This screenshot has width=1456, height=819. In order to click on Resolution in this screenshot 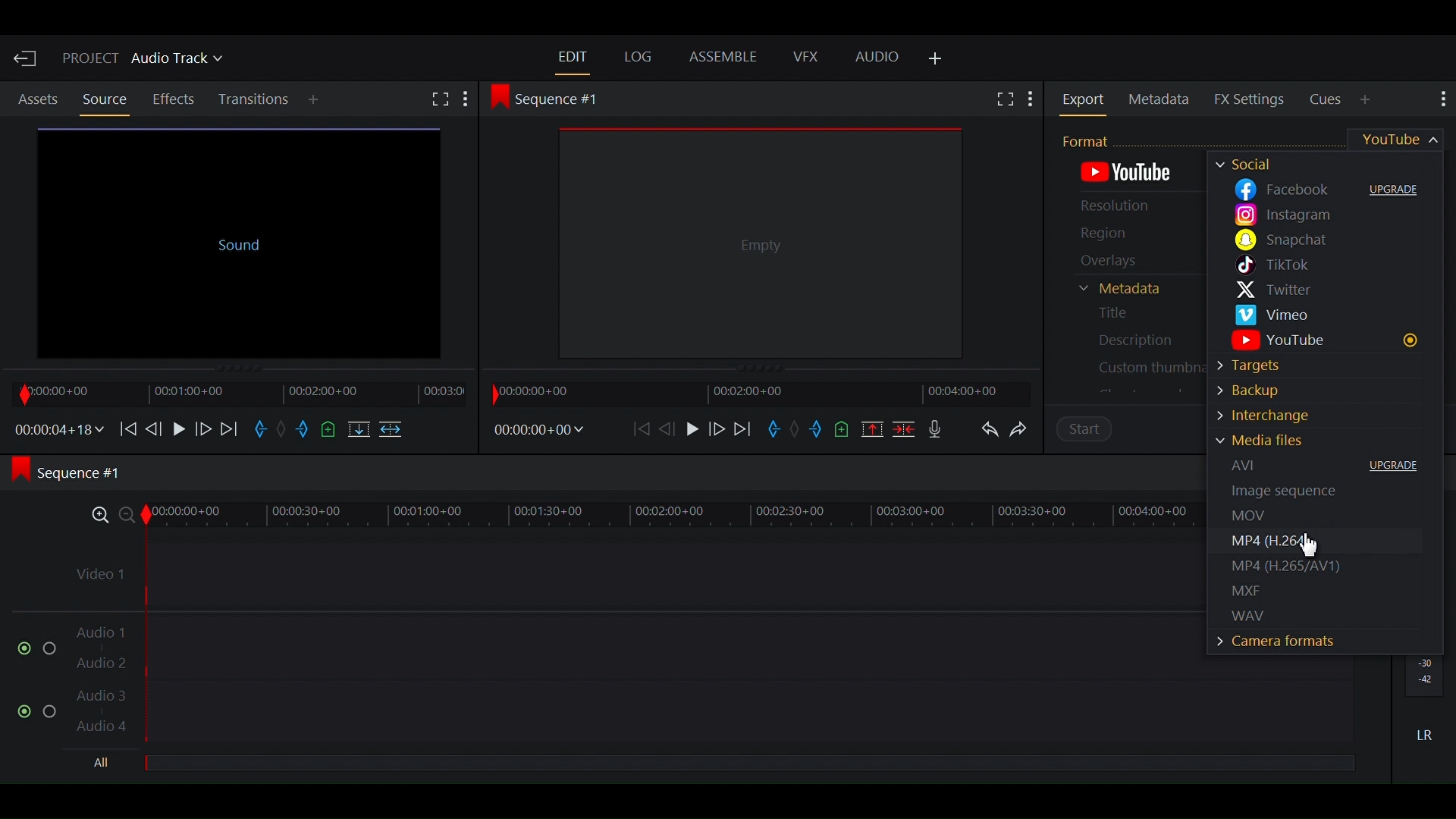, I will do `click(1128, 208)`.